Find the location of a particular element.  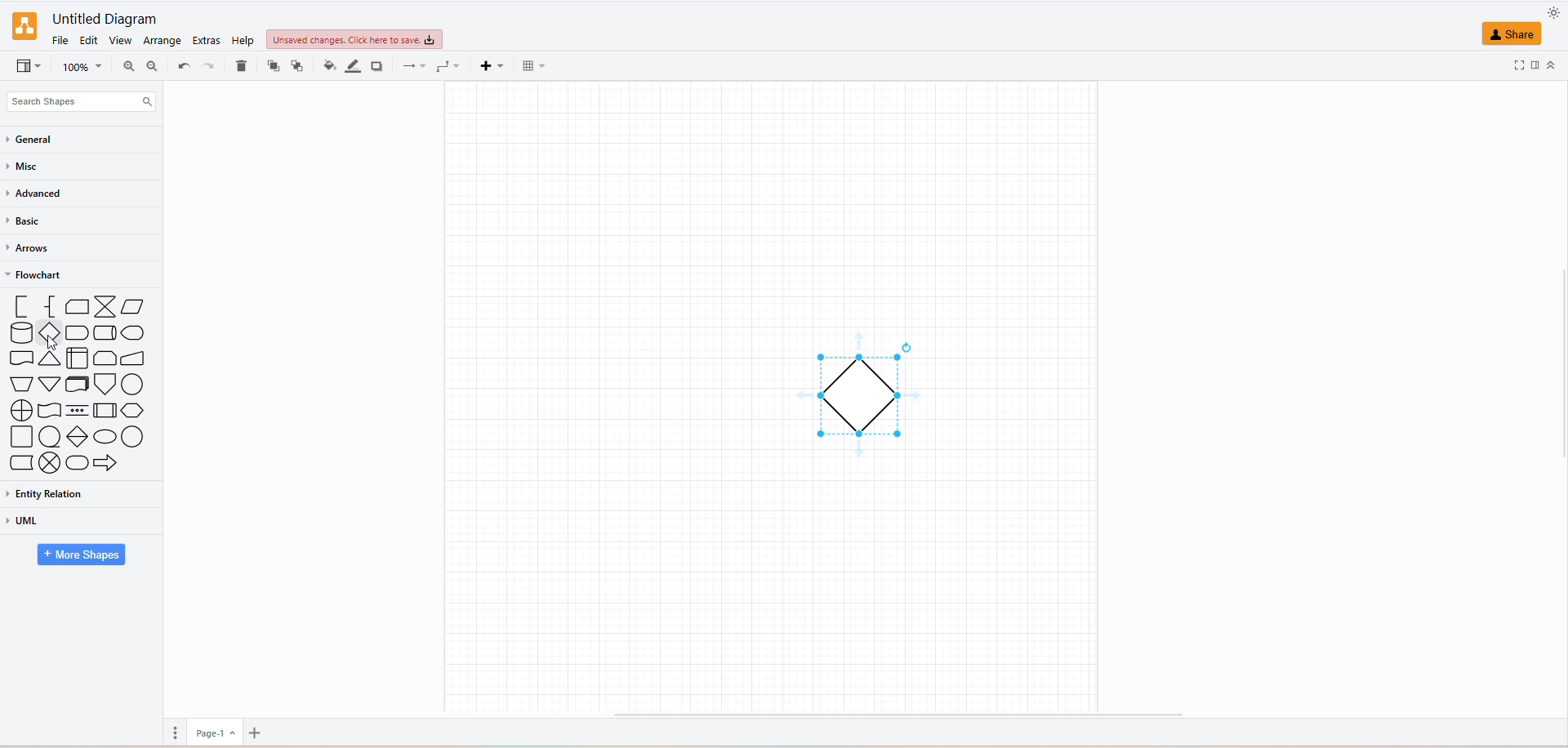

EDIT is located at coordinates (207, 42).